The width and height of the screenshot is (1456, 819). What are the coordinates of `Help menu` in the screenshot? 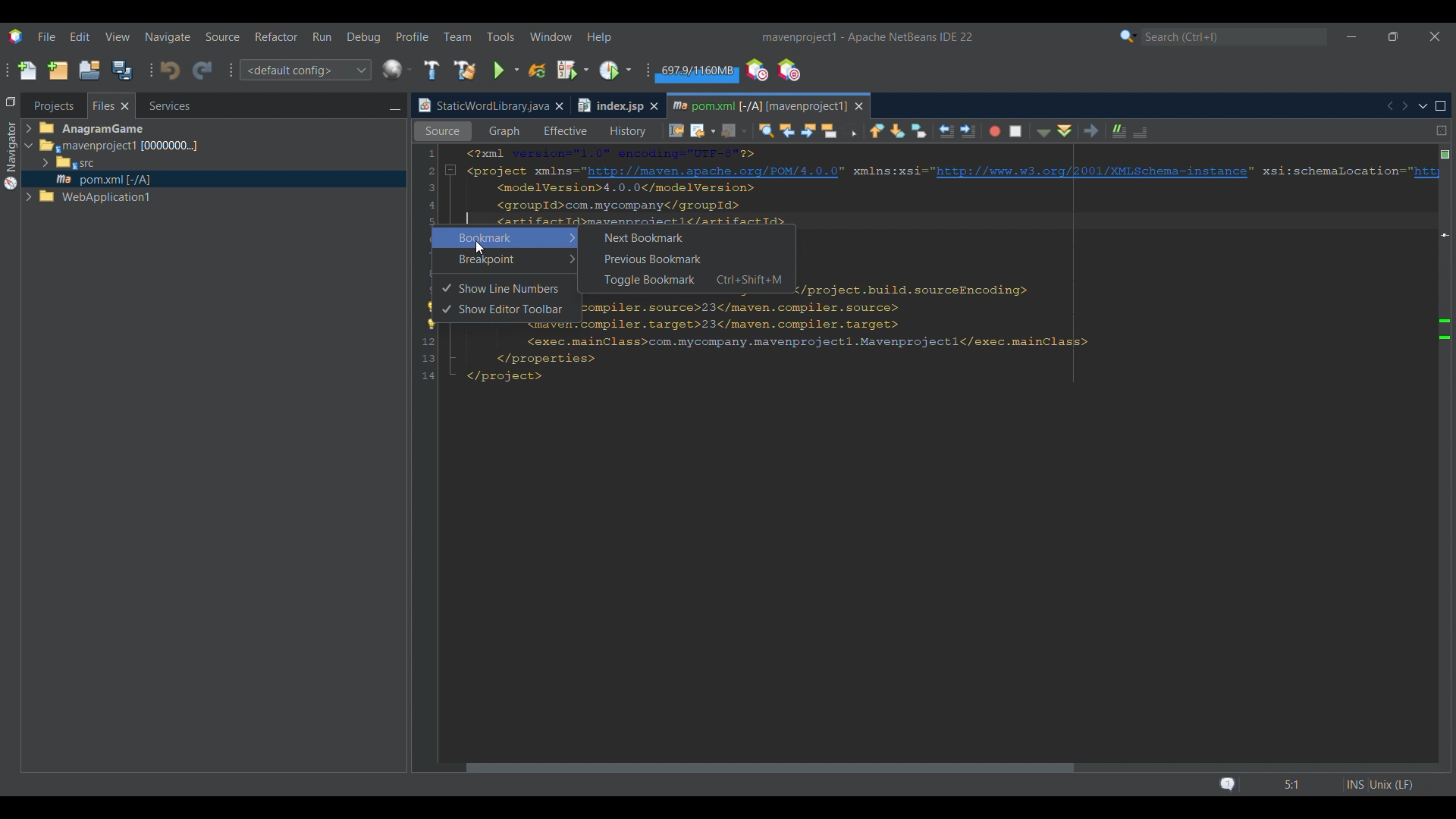 It's located at (598, 38).